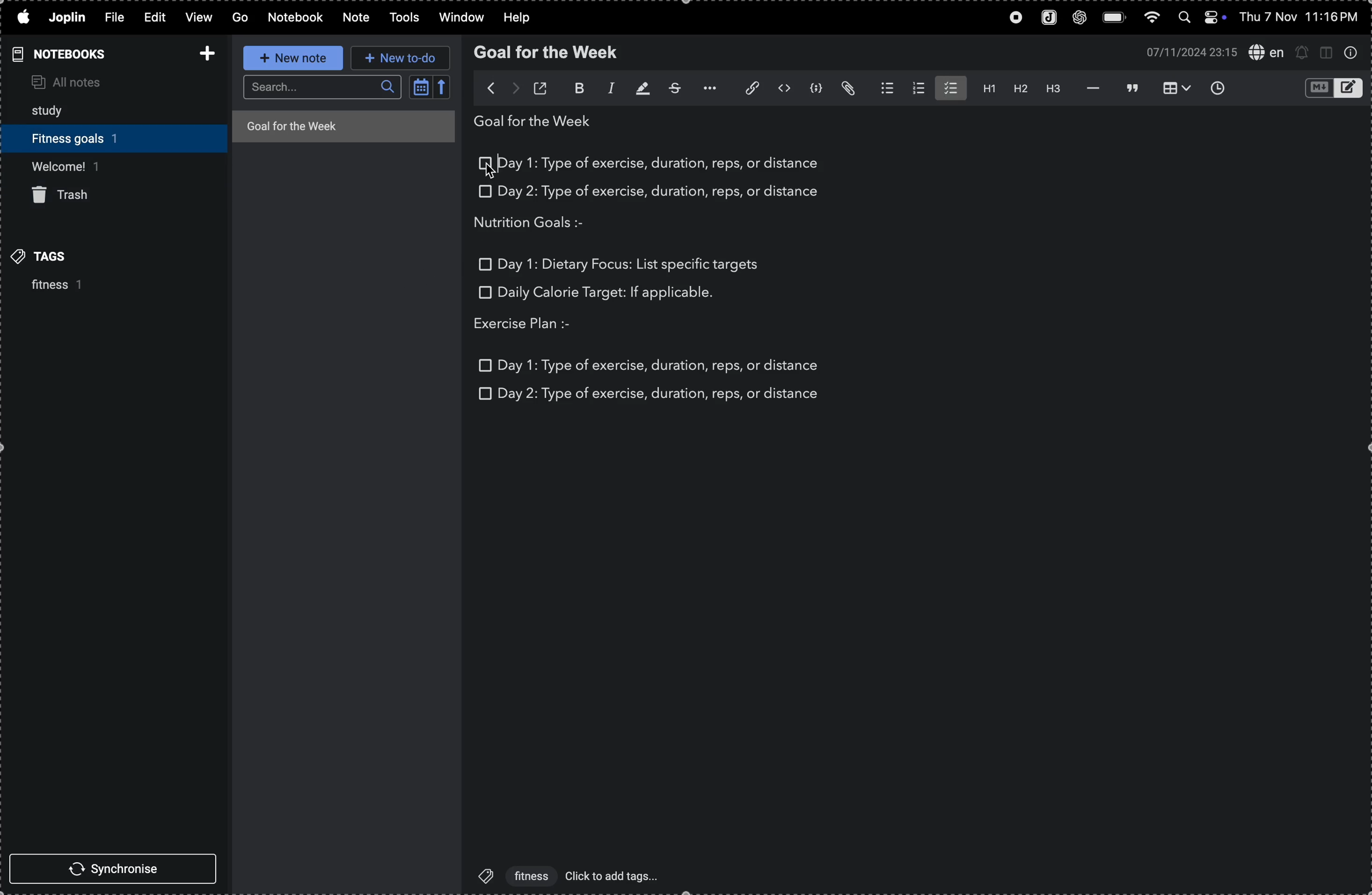  What do you see at coordinates (1132, 87) in the screenshot?
I see `black quote` at bounding box center [1132, 87].